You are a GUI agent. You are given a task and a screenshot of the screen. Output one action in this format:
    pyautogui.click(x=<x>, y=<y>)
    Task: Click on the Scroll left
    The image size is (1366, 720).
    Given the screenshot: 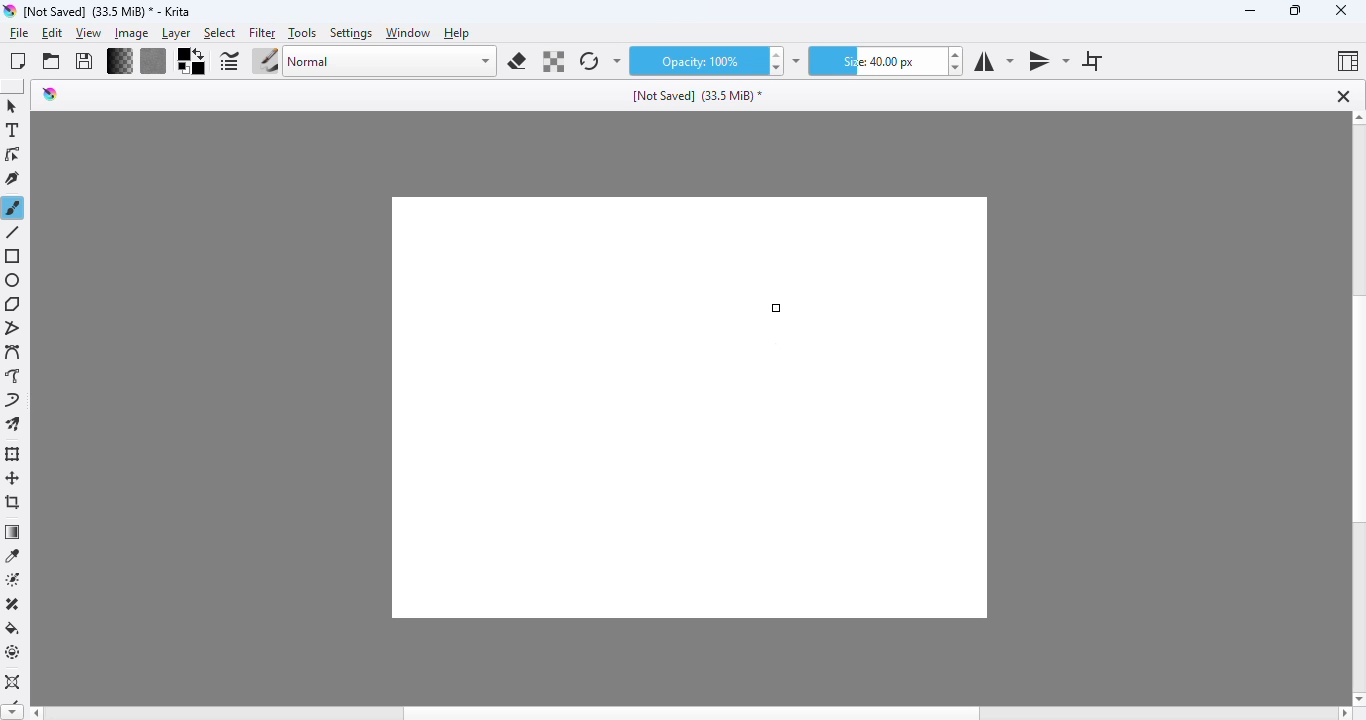 What is the action you would take?
    pyautogui.click(x=38, y=711)
    